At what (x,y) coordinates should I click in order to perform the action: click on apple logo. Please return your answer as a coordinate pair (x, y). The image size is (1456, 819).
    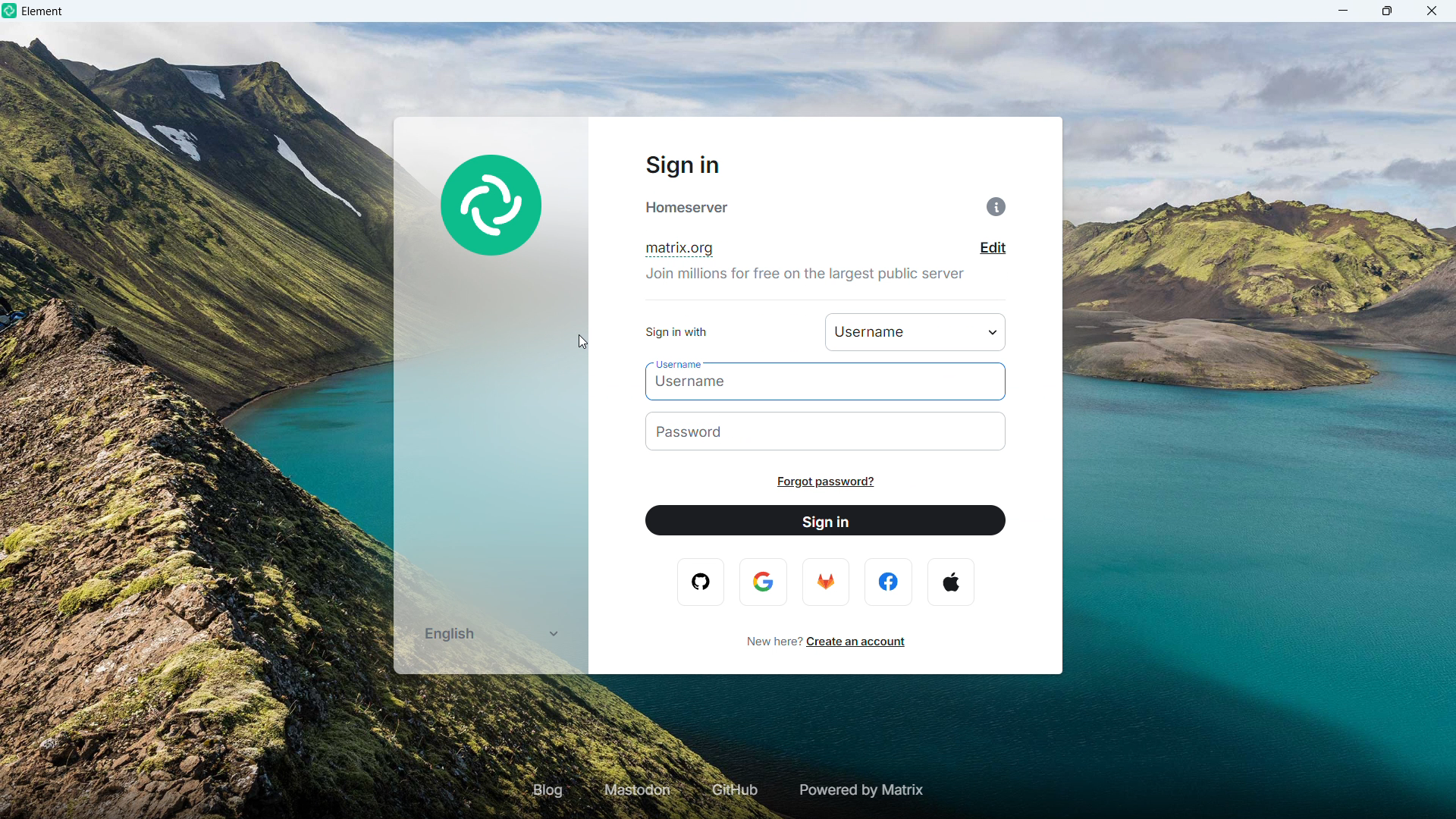
    Looking at the image, I should click on (950, 582).